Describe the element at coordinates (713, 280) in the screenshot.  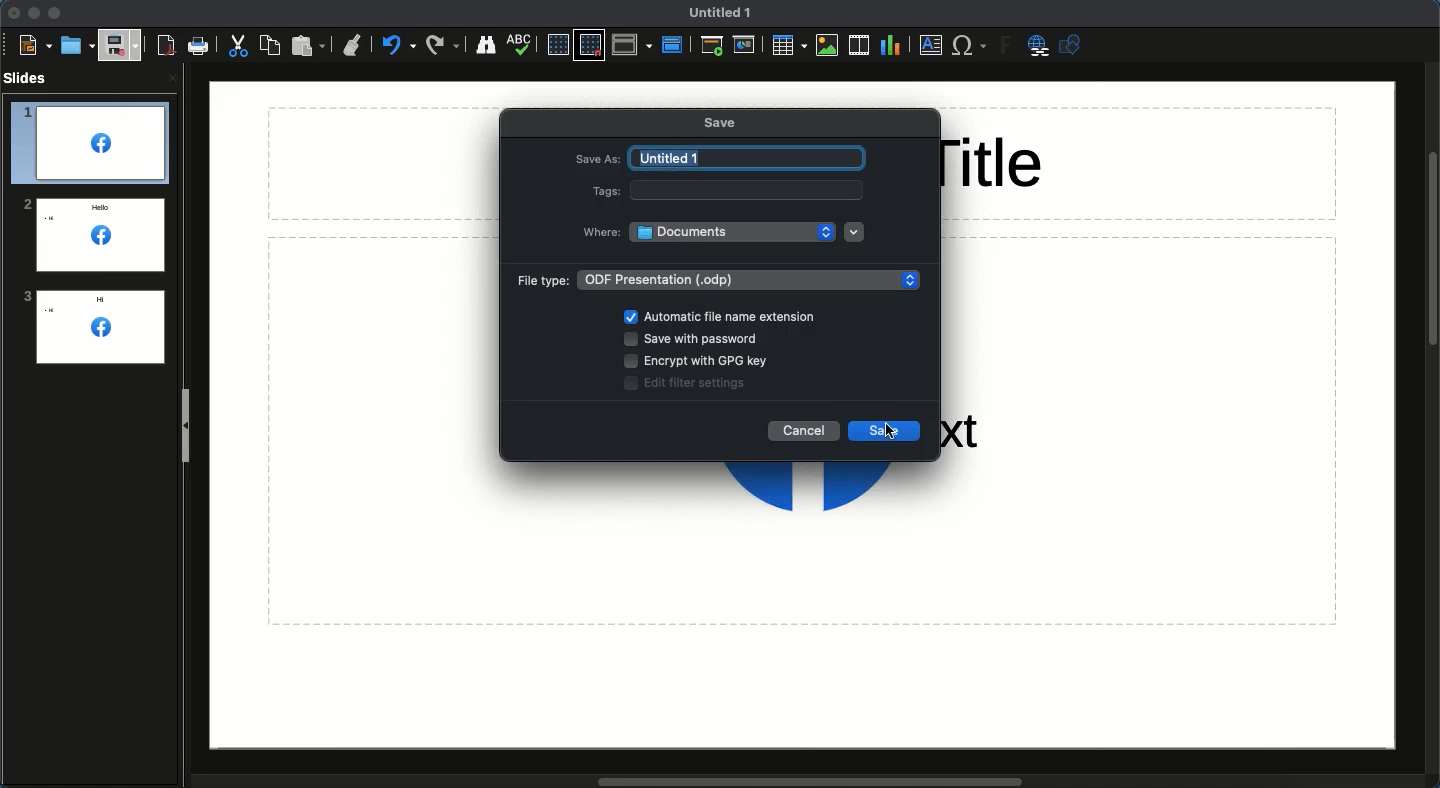
I see `File type ` at that location.